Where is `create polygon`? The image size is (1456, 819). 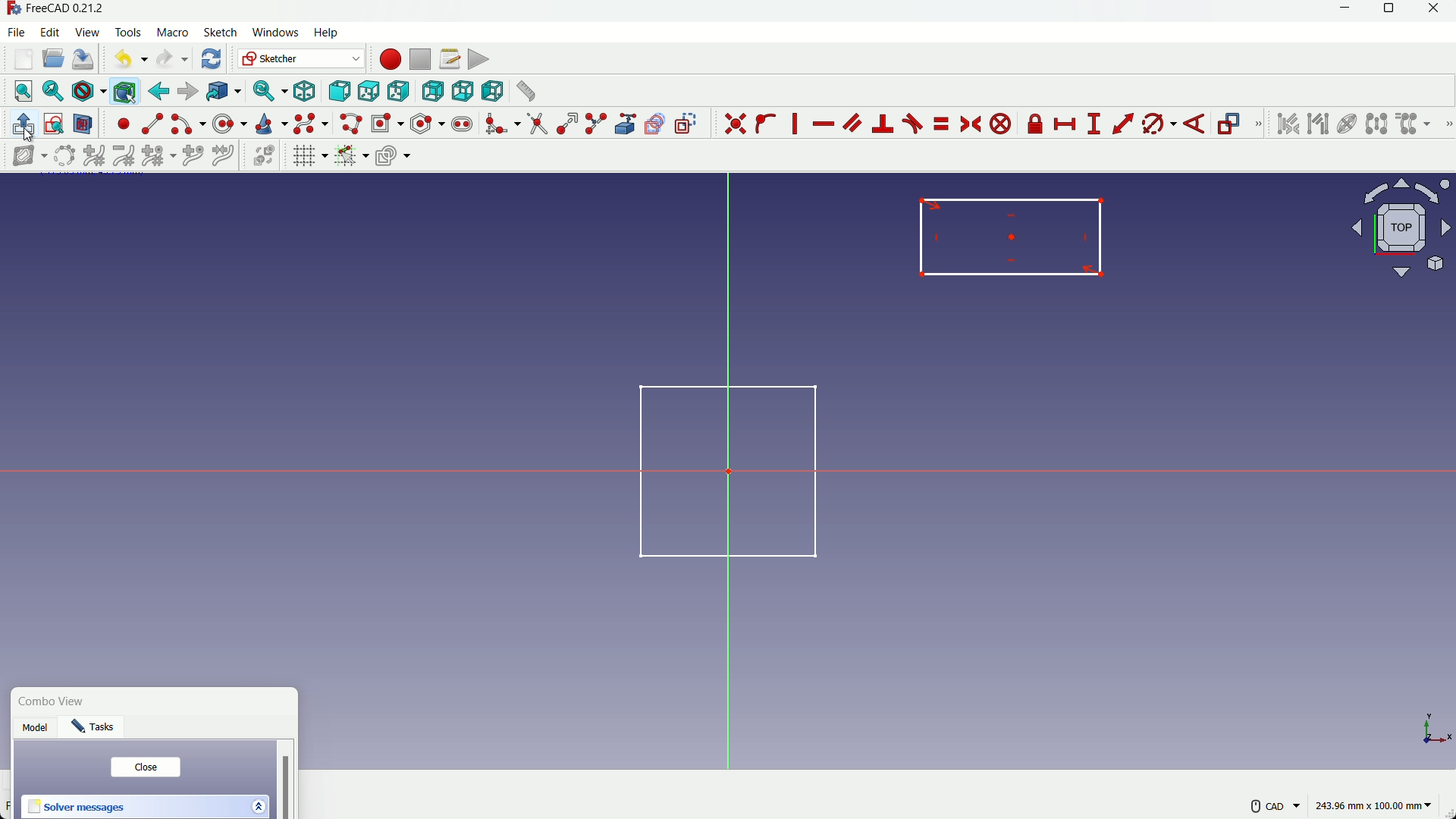 create polygon is located at coordinates (428, 123).